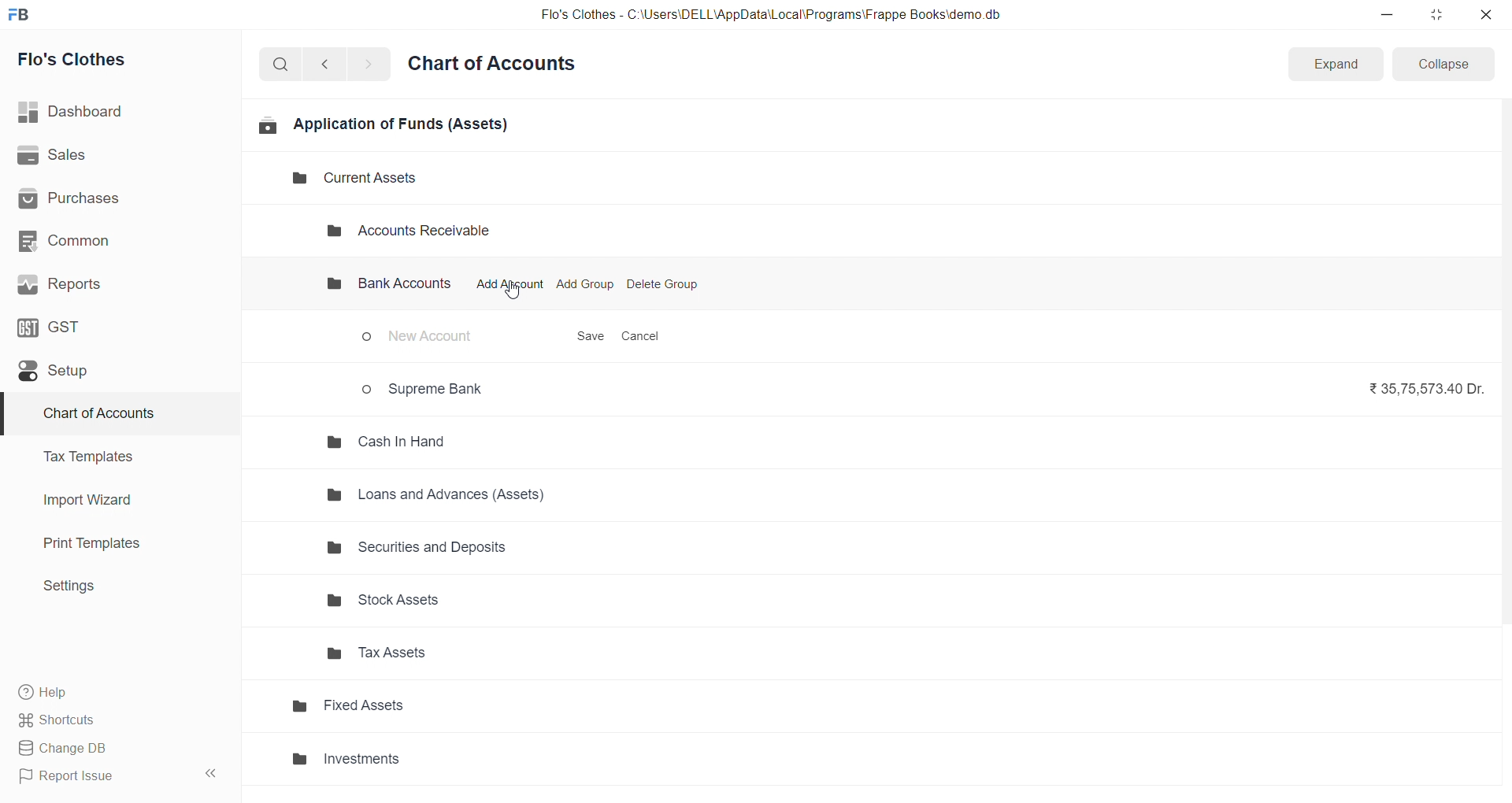  What do you see at coordinates (113, 60) in the screenshot?
I see `Flo's Clothes` at bounding box center [113, 60].